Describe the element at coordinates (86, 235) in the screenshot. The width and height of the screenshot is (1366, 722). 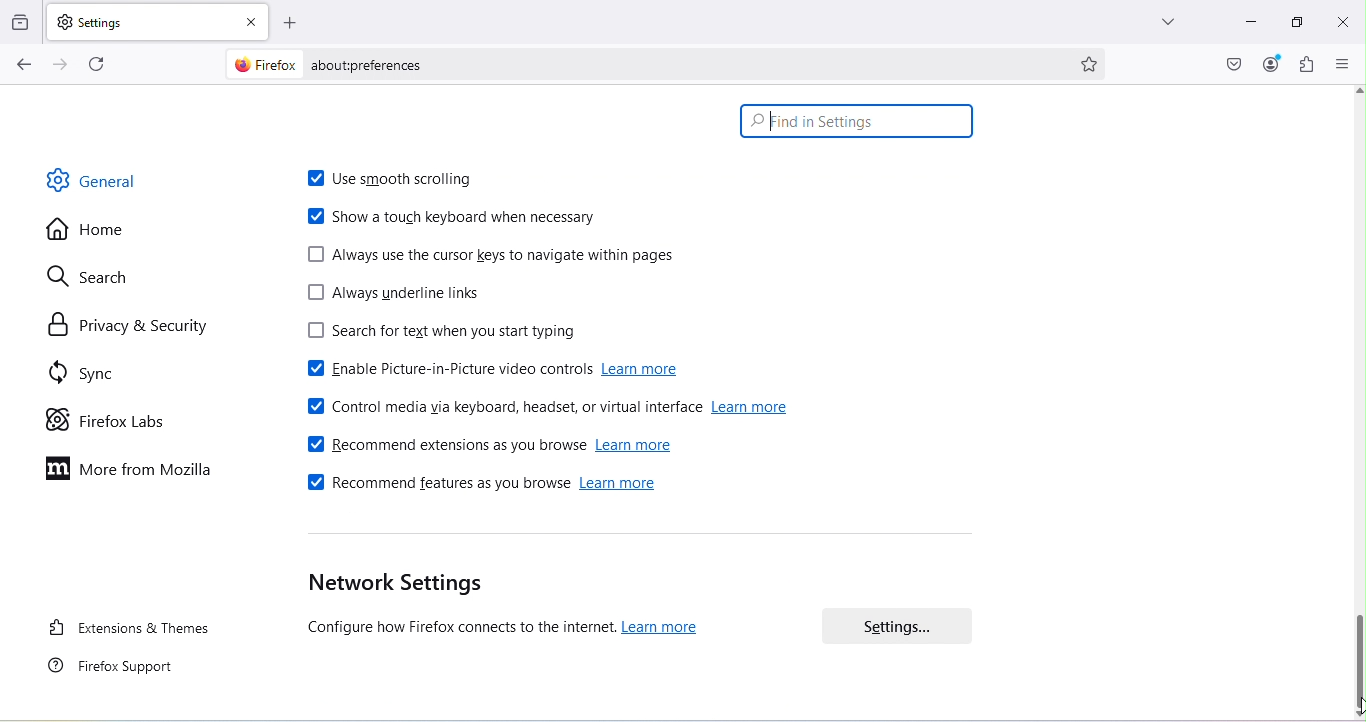
I see `Home` at that location.